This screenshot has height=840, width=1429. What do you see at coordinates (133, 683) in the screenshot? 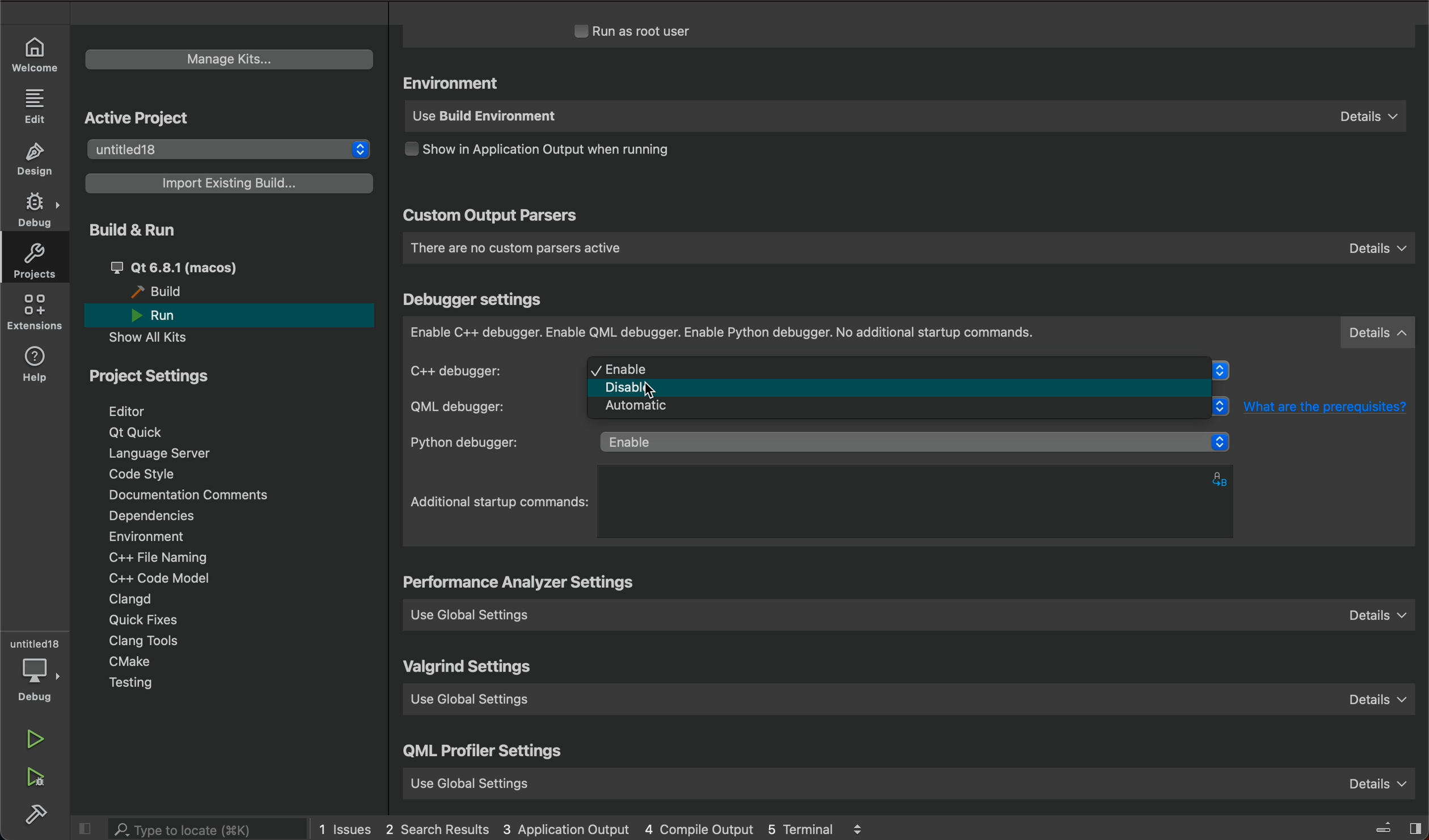
I see `testing` at bounding box center [133, 683].